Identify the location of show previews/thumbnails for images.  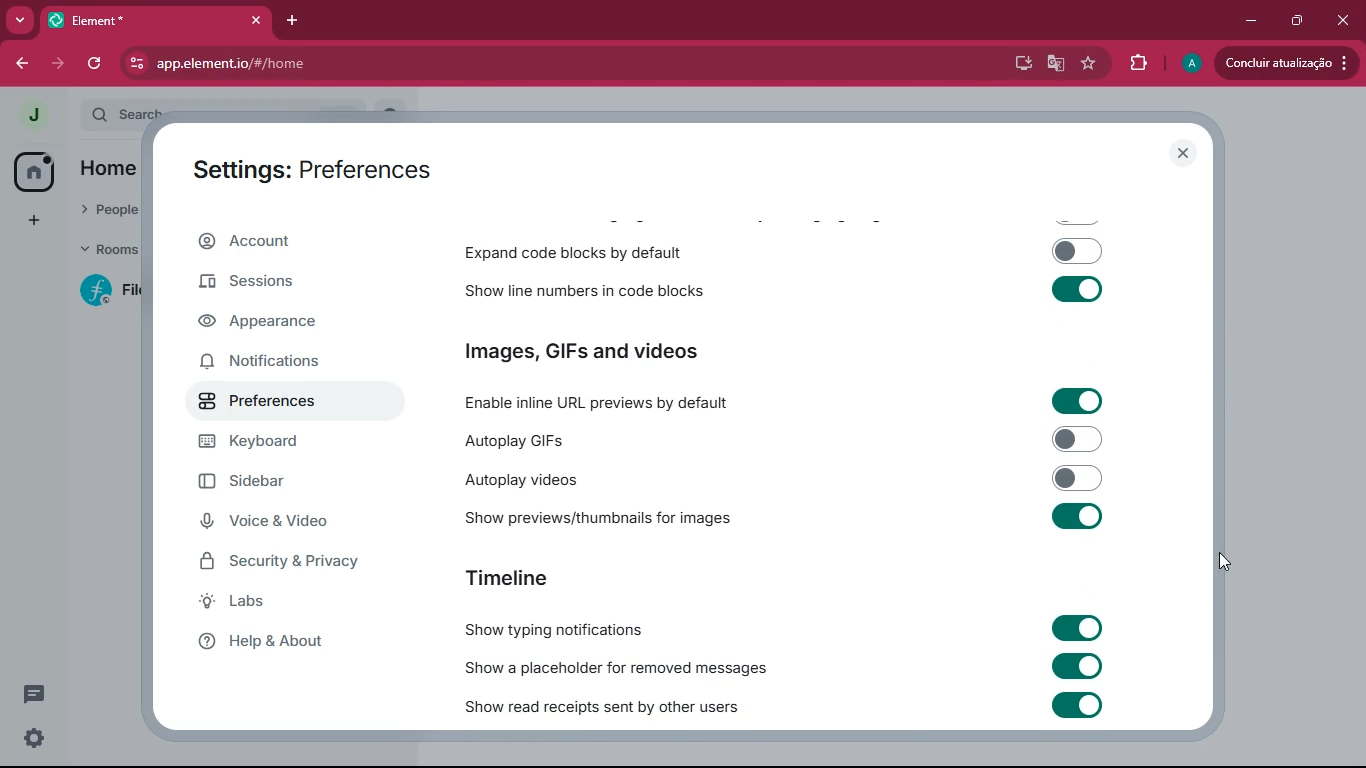
(601, 517).